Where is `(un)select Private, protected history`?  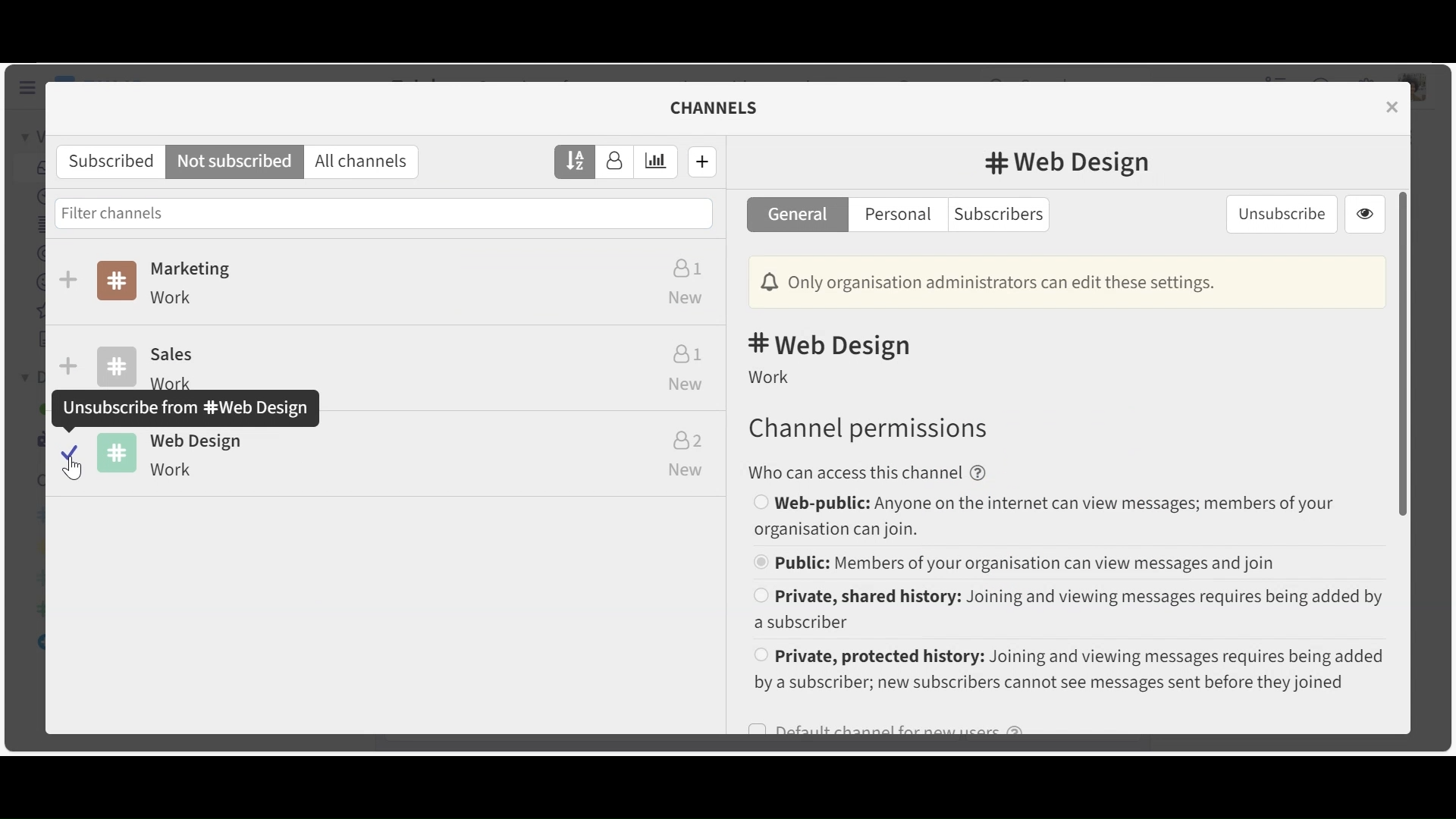 (un)select Private, protected history is located at coordinates (1067, 670).